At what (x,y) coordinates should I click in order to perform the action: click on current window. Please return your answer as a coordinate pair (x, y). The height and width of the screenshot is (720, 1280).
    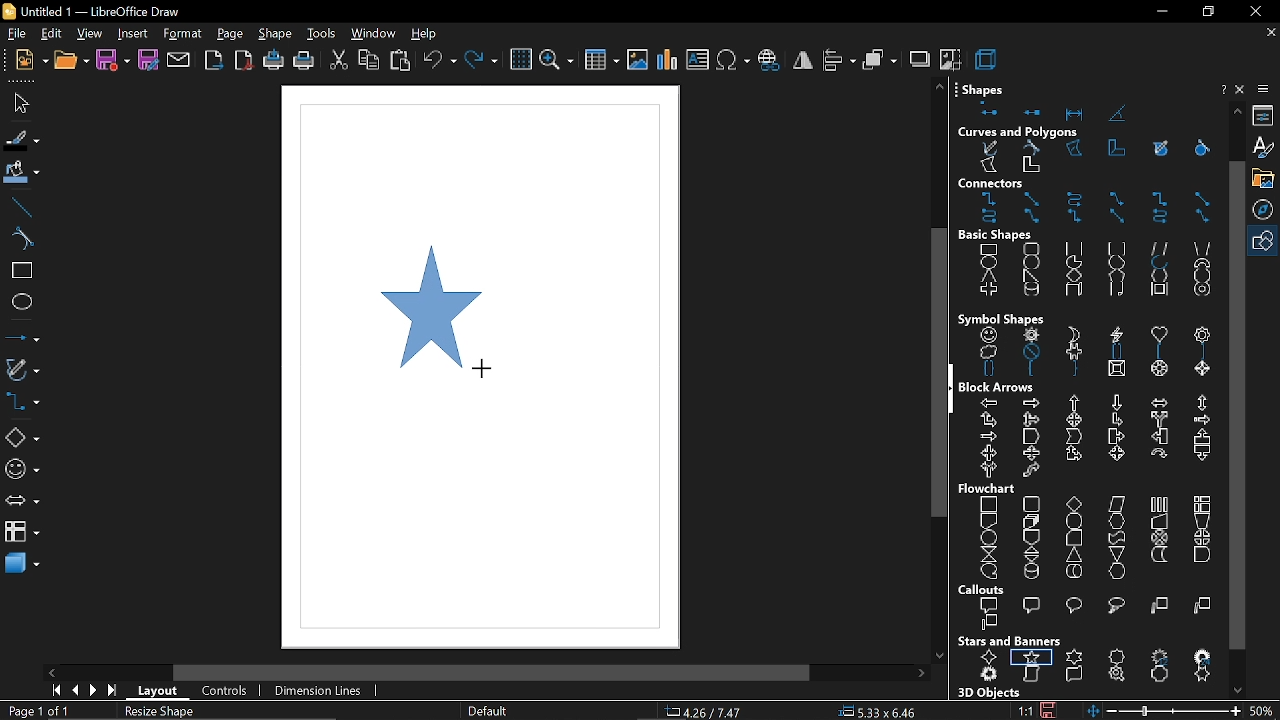
    Looking at the image, I should click on (90, 11).